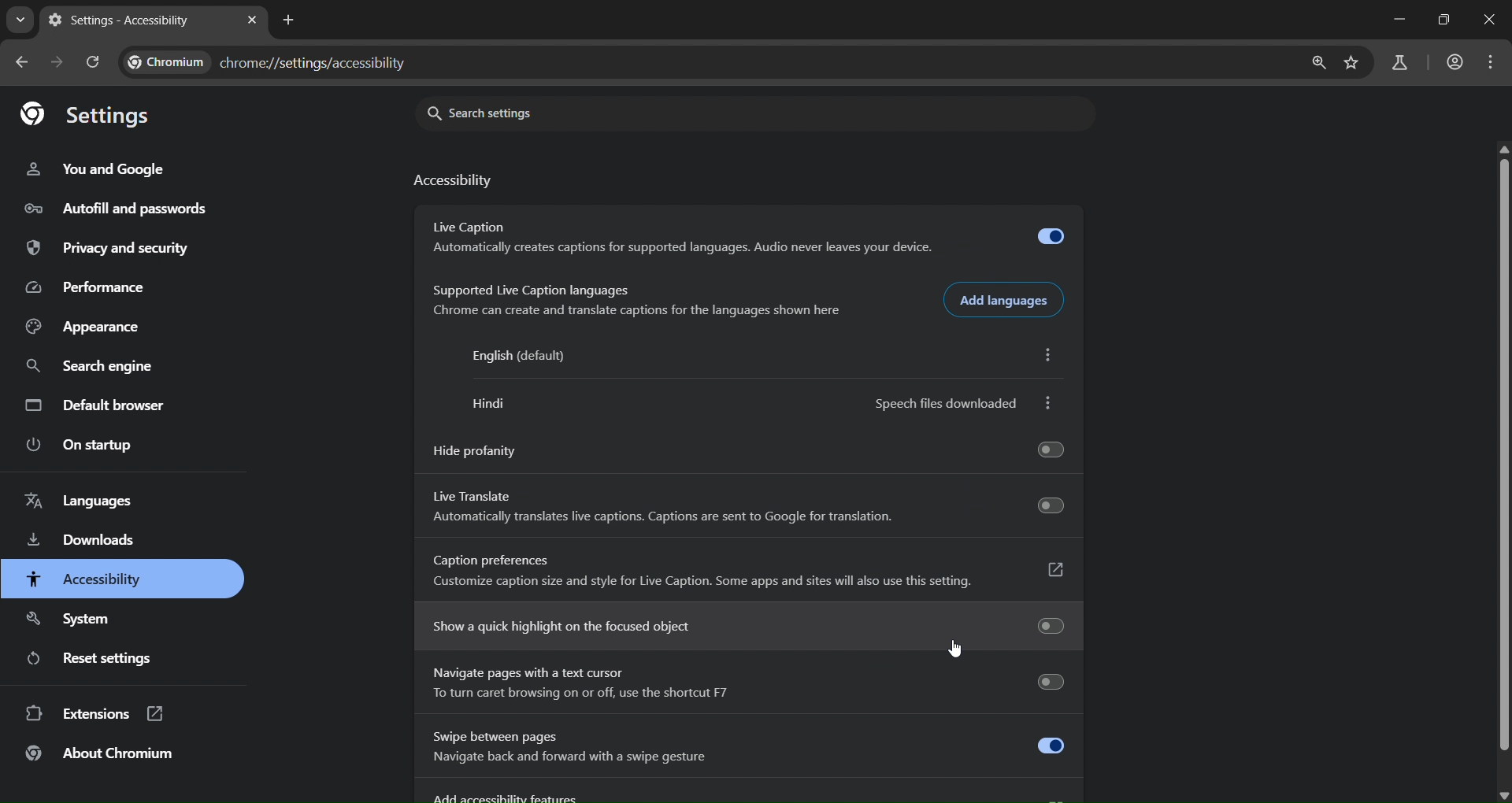 Image resolution: width=1512 pixels, height=803 pixels. Describe the element at coordinates (752, 444) in the screenshot. I see `hide profanity` at that location.